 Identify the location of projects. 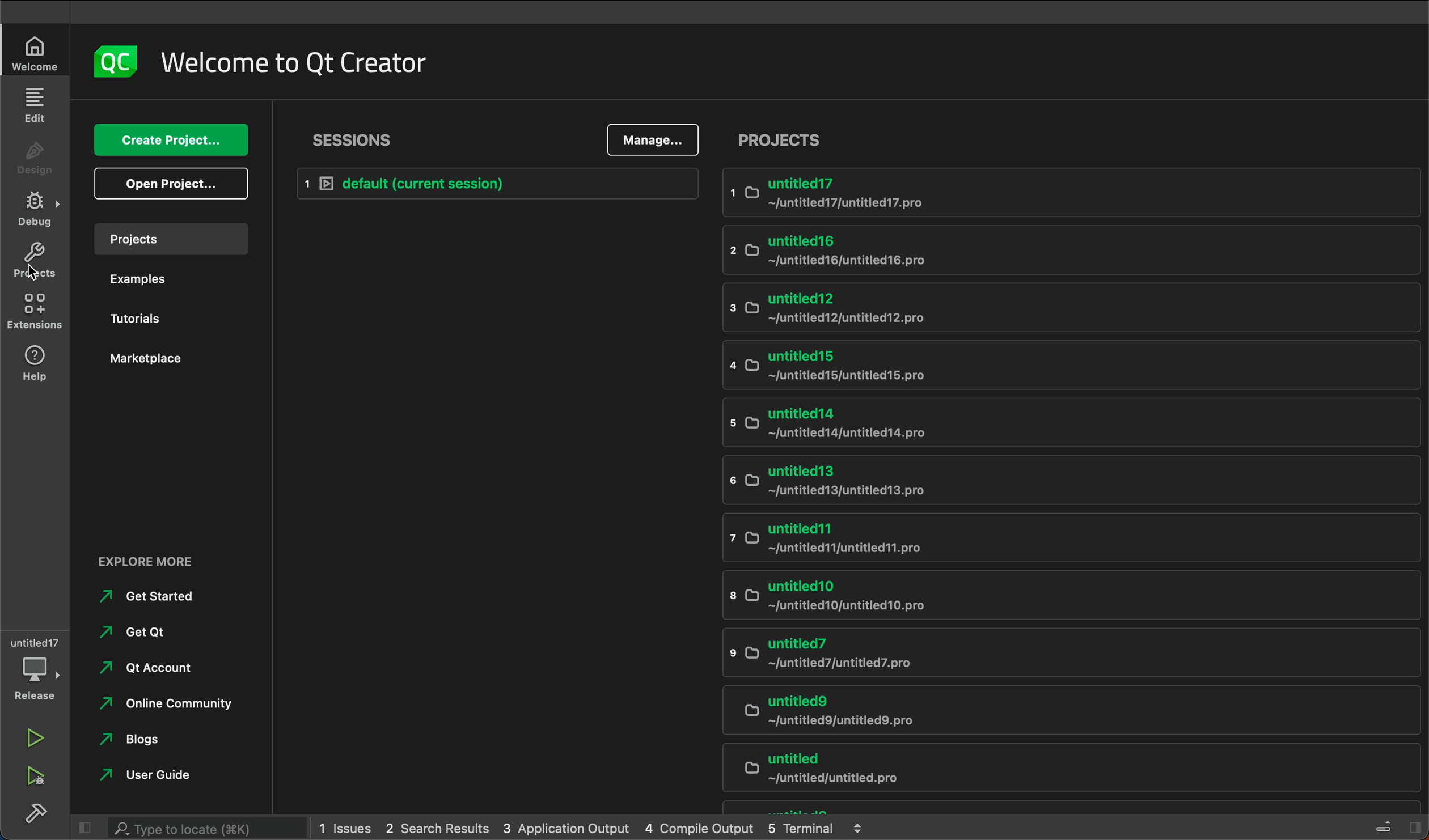
(40, 260).